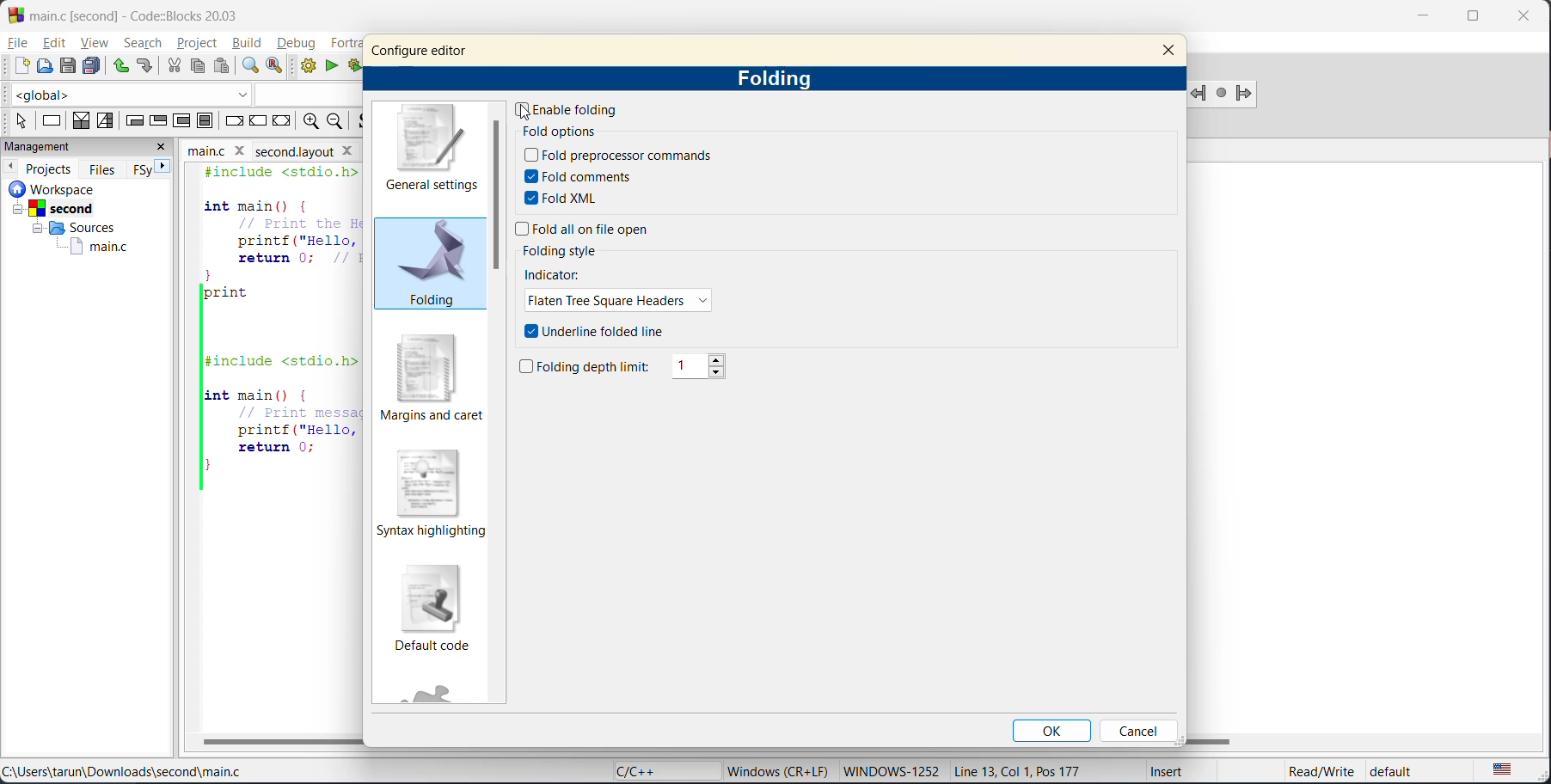 The width and height of the screenshot is (1551, 784). I want to click on toggle source, so click(366, 122).